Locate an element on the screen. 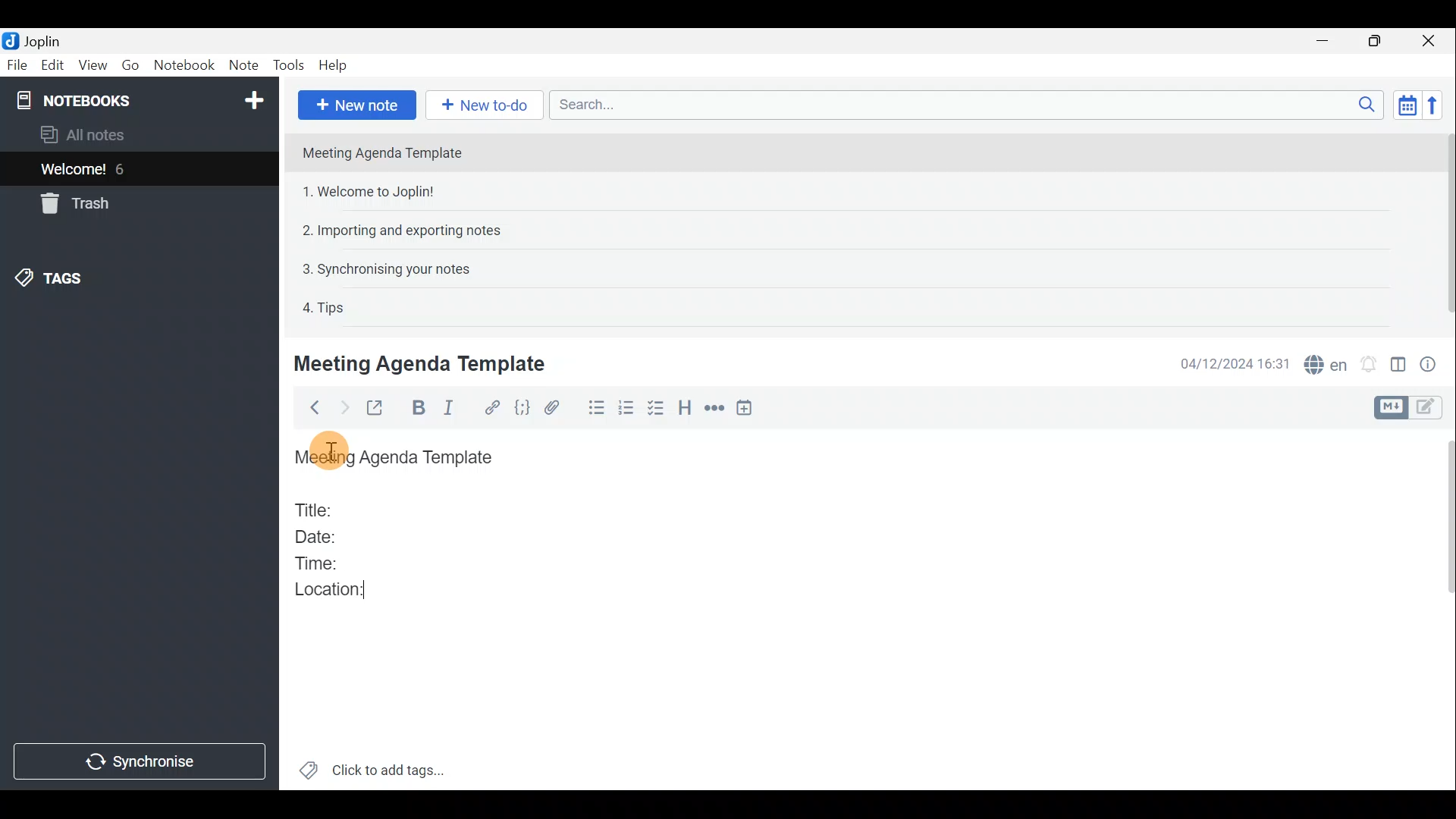  New note is located at coordinates (357, 105).